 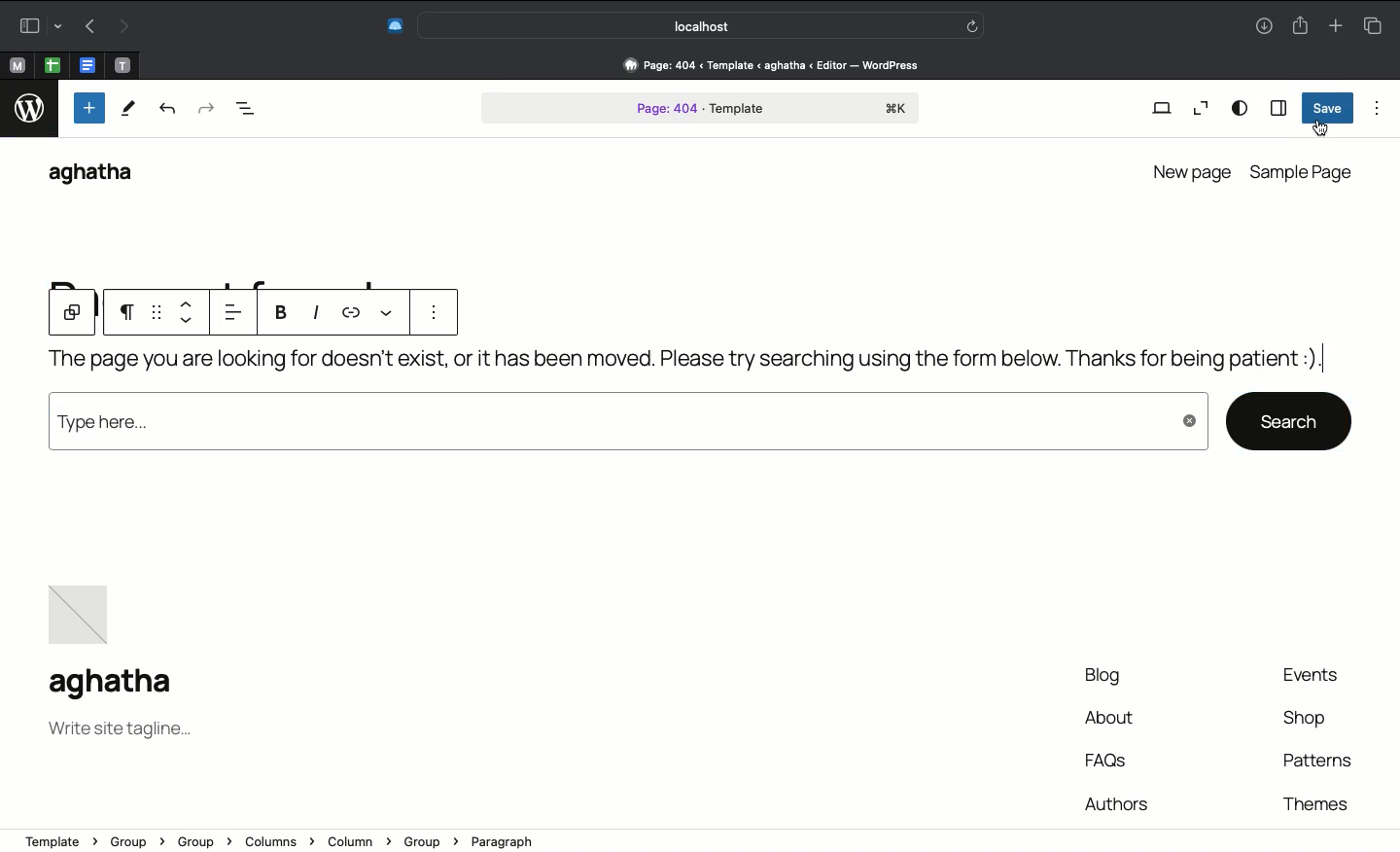 What do you see at coordinates (281, 316) in the screenshot?
I see `Bold` at bounding box center [281, 316].